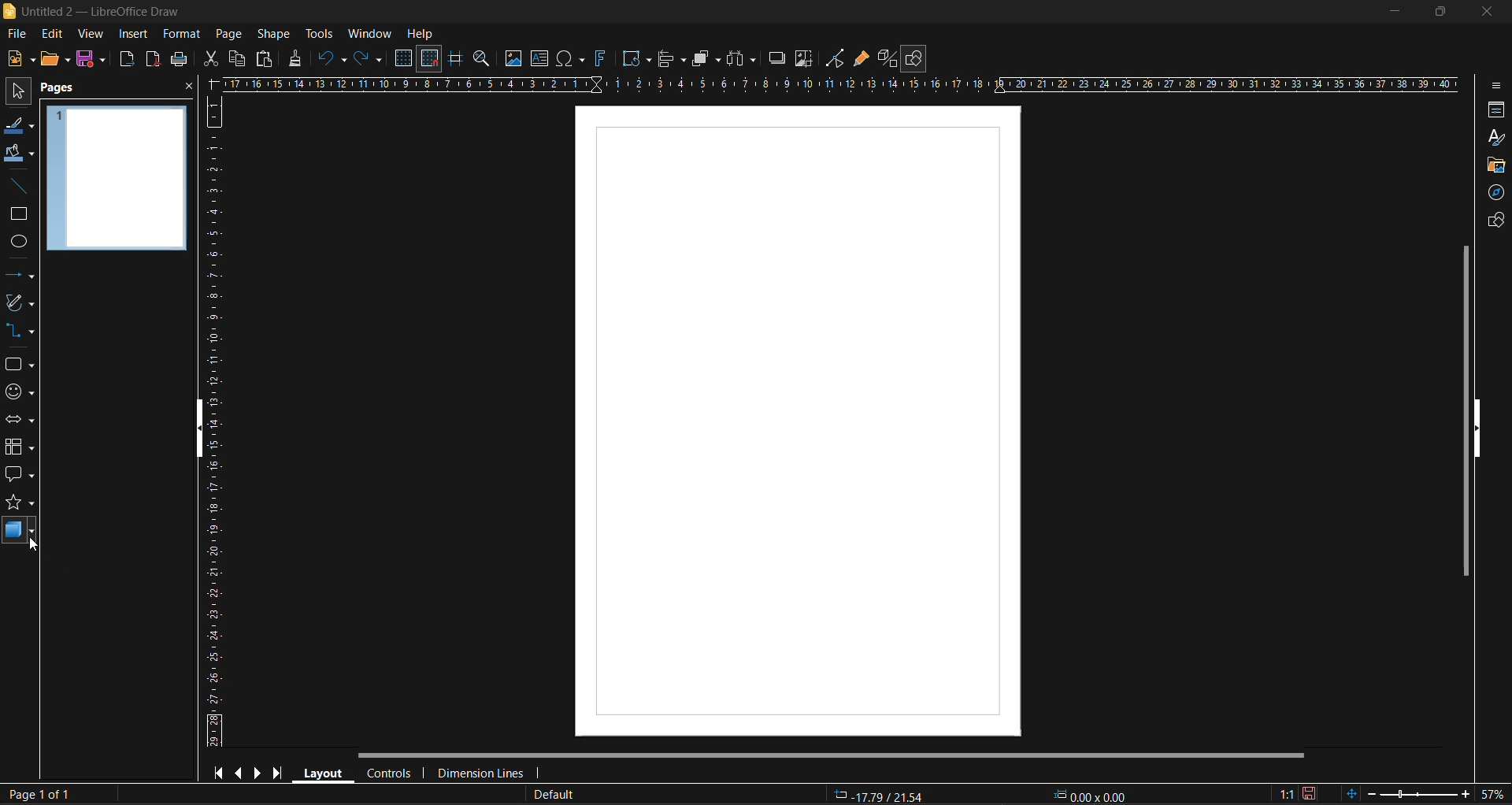 The image size is (1512, 805). Describe the element at coordinates (39, 796) in the screenshot. I see `page number` at that location.